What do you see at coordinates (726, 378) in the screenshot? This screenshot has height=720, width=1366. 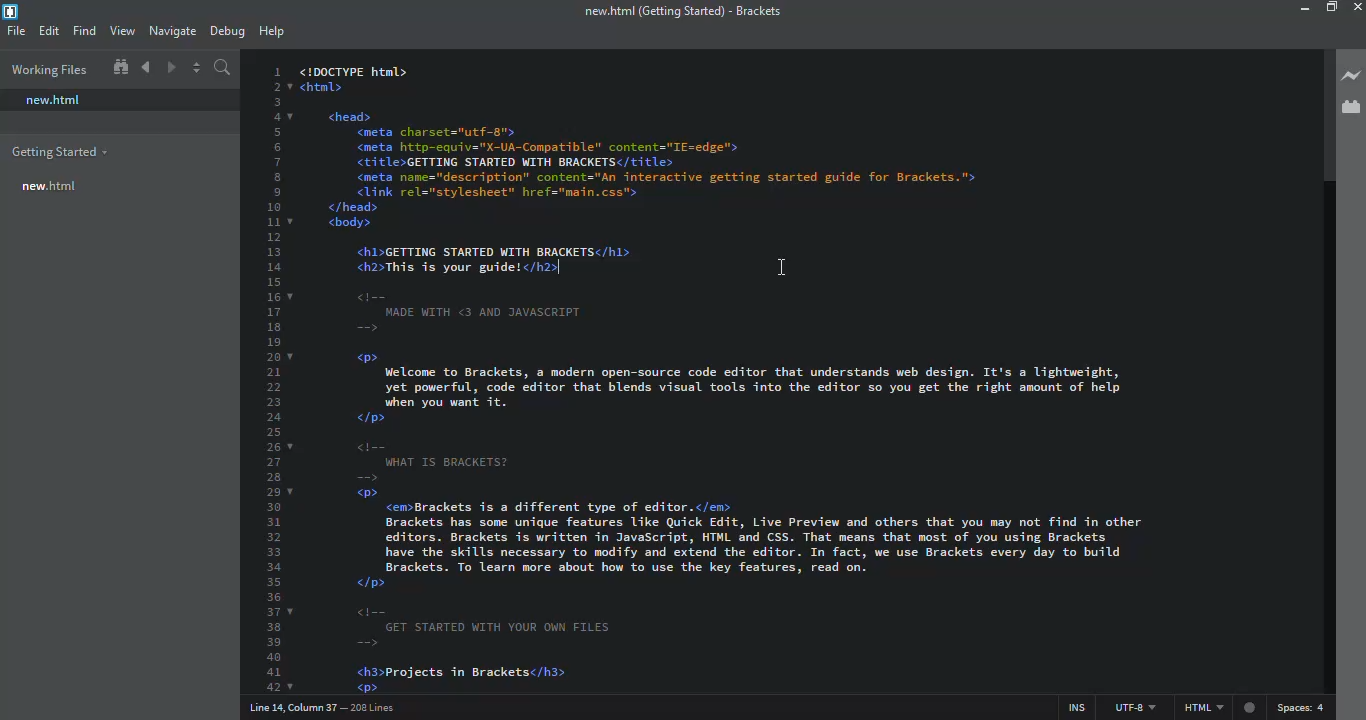 I see `test code` at bounding box center [726, 378].